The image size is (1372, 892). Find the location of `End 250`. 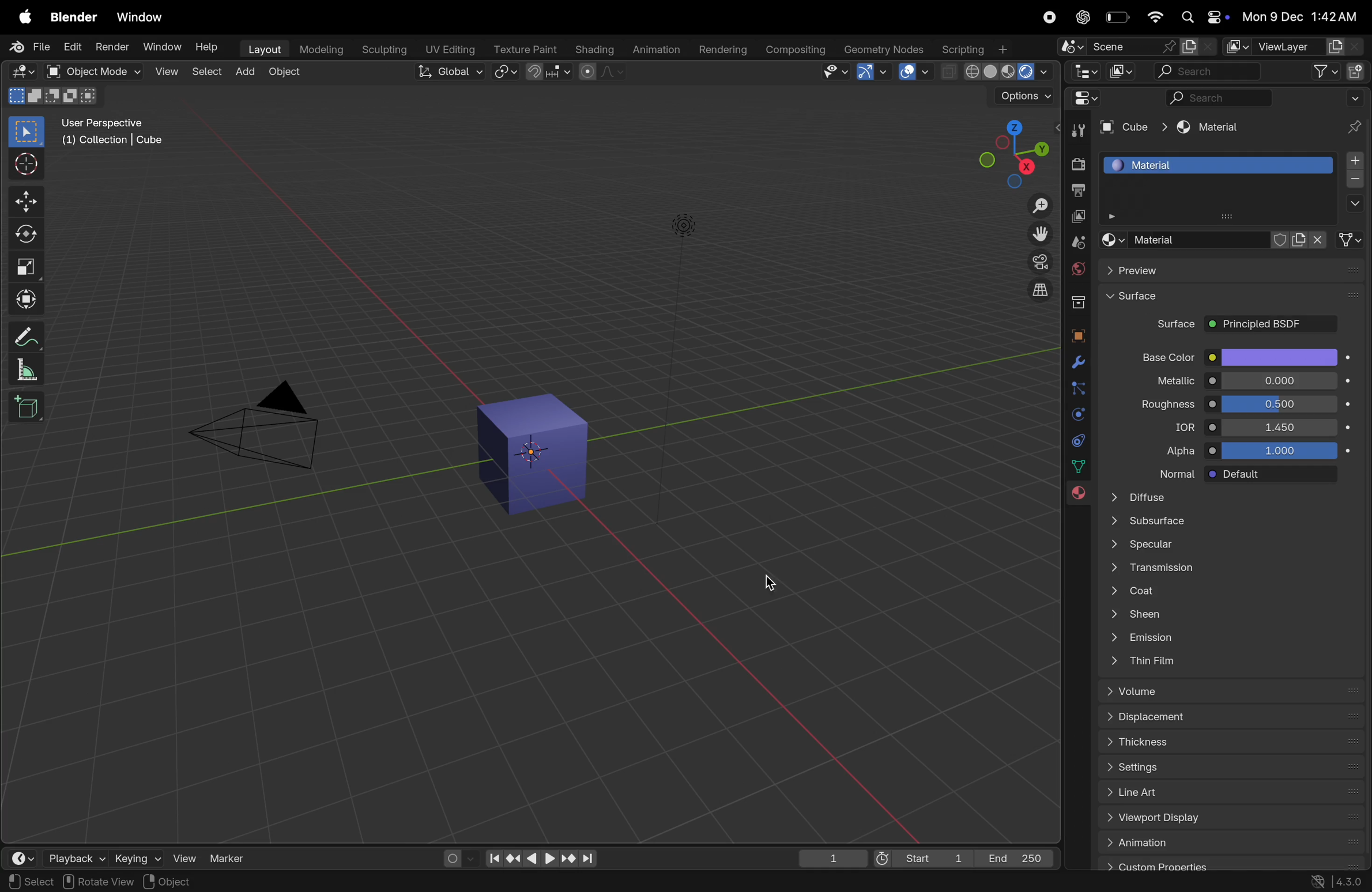

End 250 is located at coordinates (1015, 858).